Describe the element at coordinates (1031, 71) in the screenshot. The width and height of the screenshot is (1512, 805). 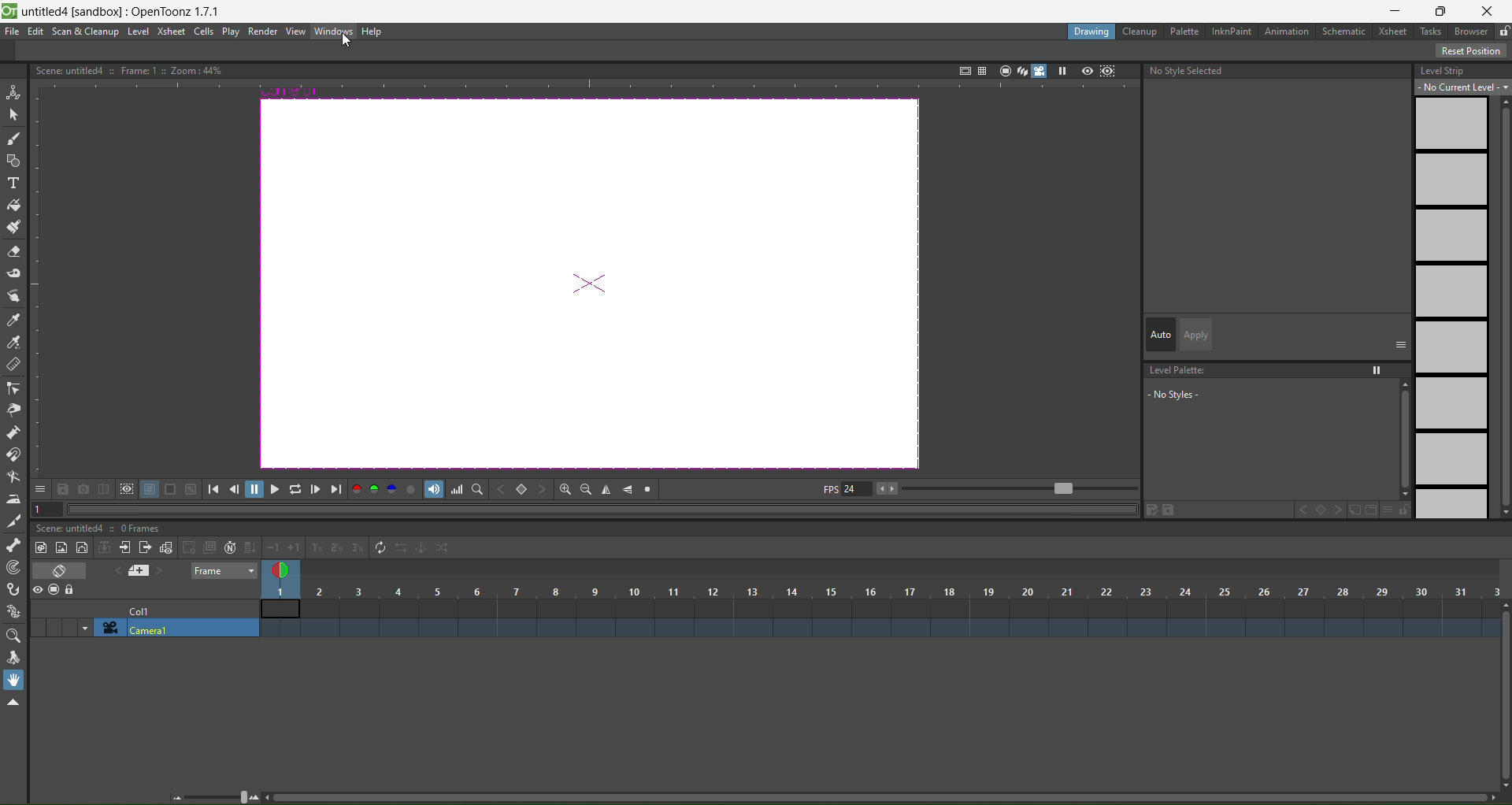
I see `camera view` at that location.